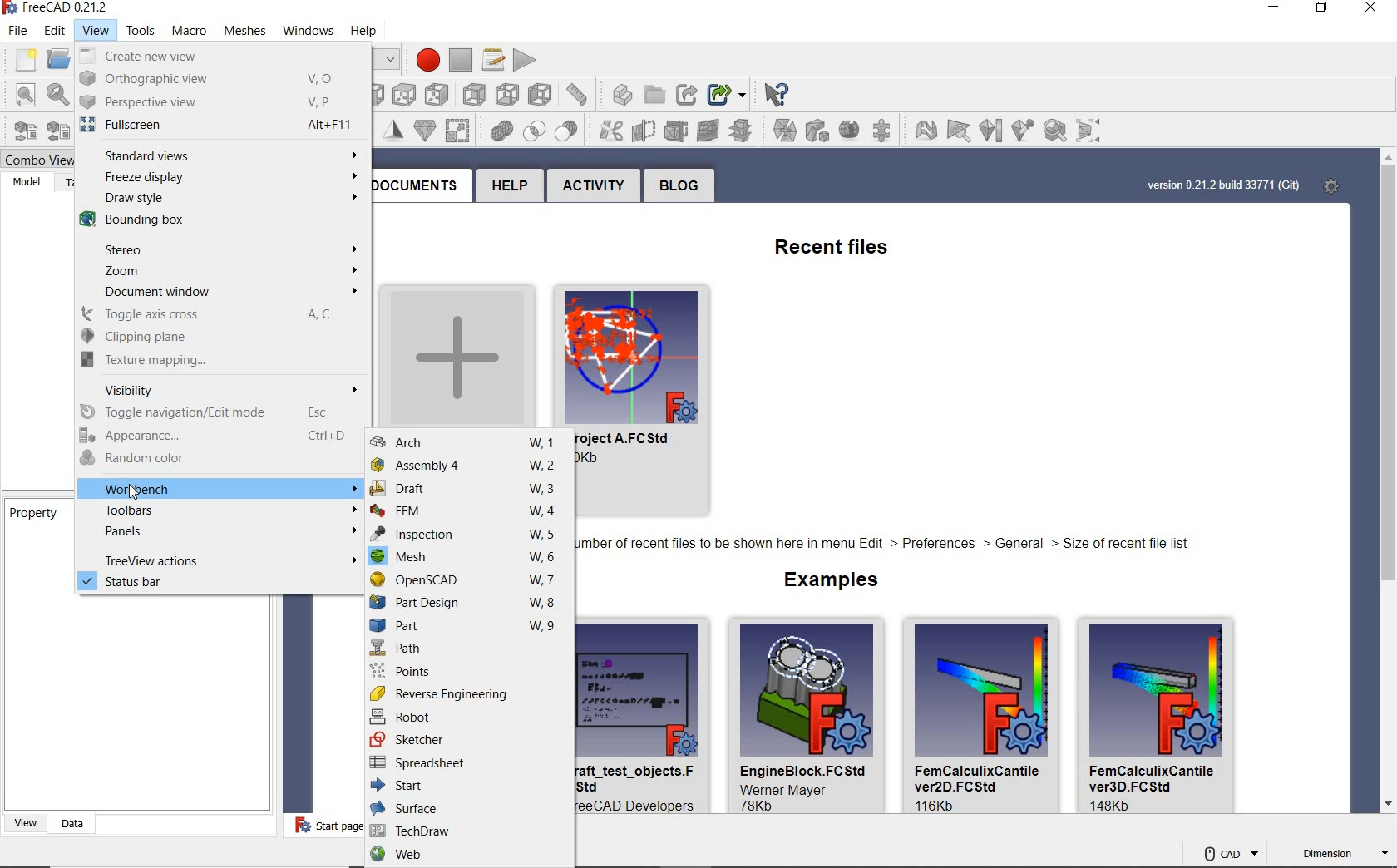 This screenshot has width=1397, height=868. I want to click on create section from mesh and plane, so click(679, 129).